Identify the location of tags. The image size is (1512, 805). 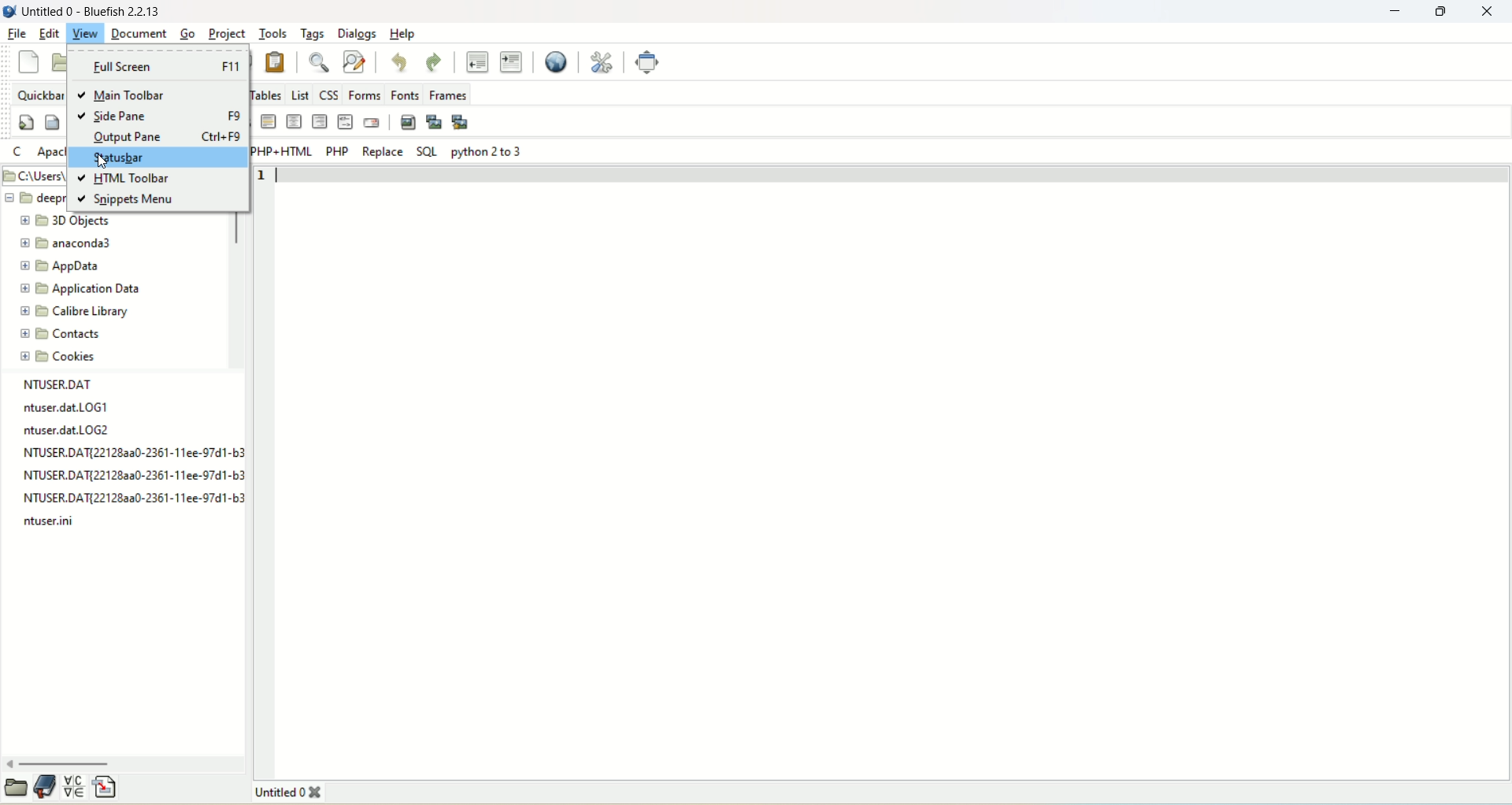
(310, 35).